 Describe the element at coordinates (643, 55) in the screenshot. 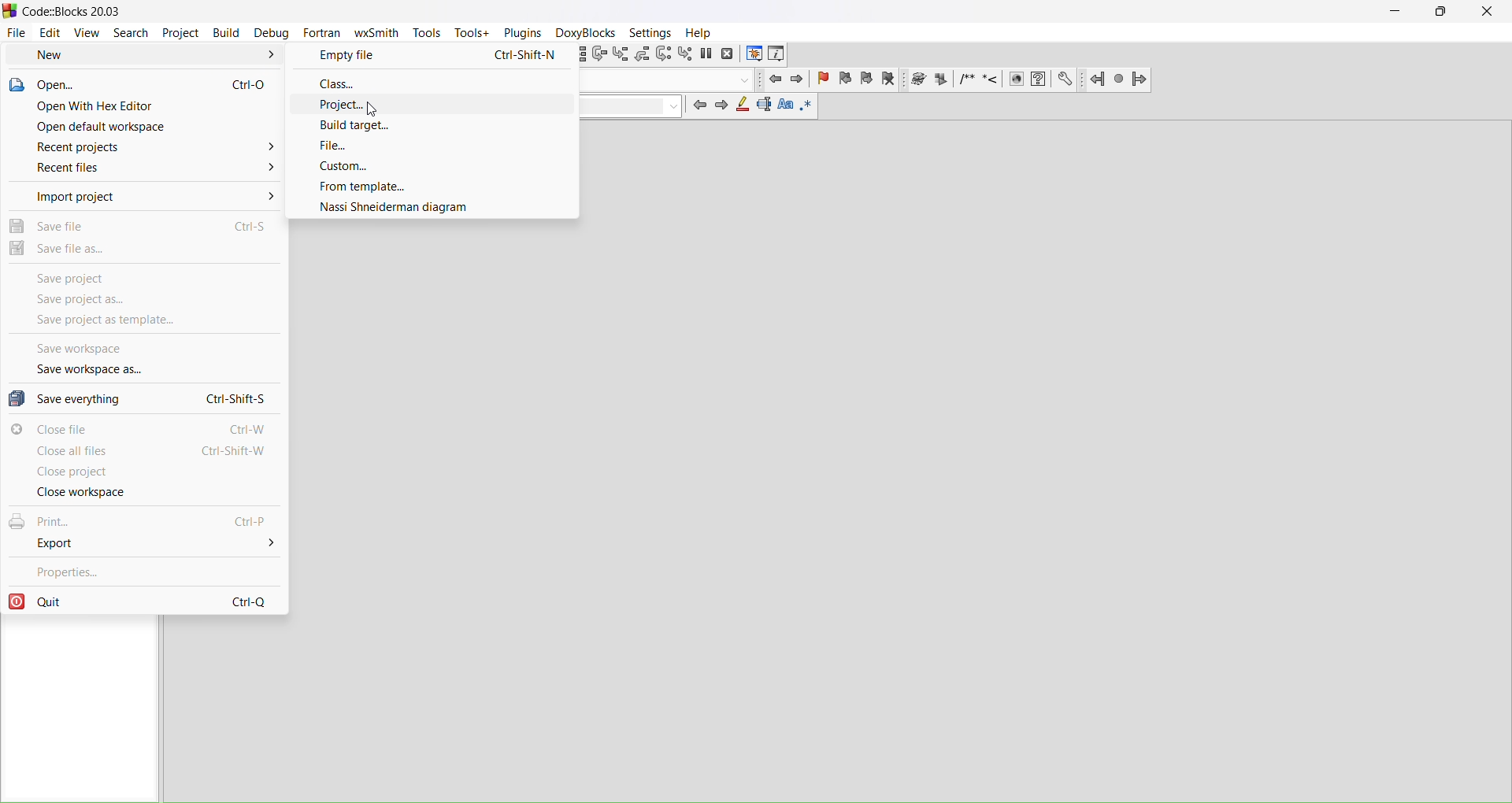

I see `step out` at that location.